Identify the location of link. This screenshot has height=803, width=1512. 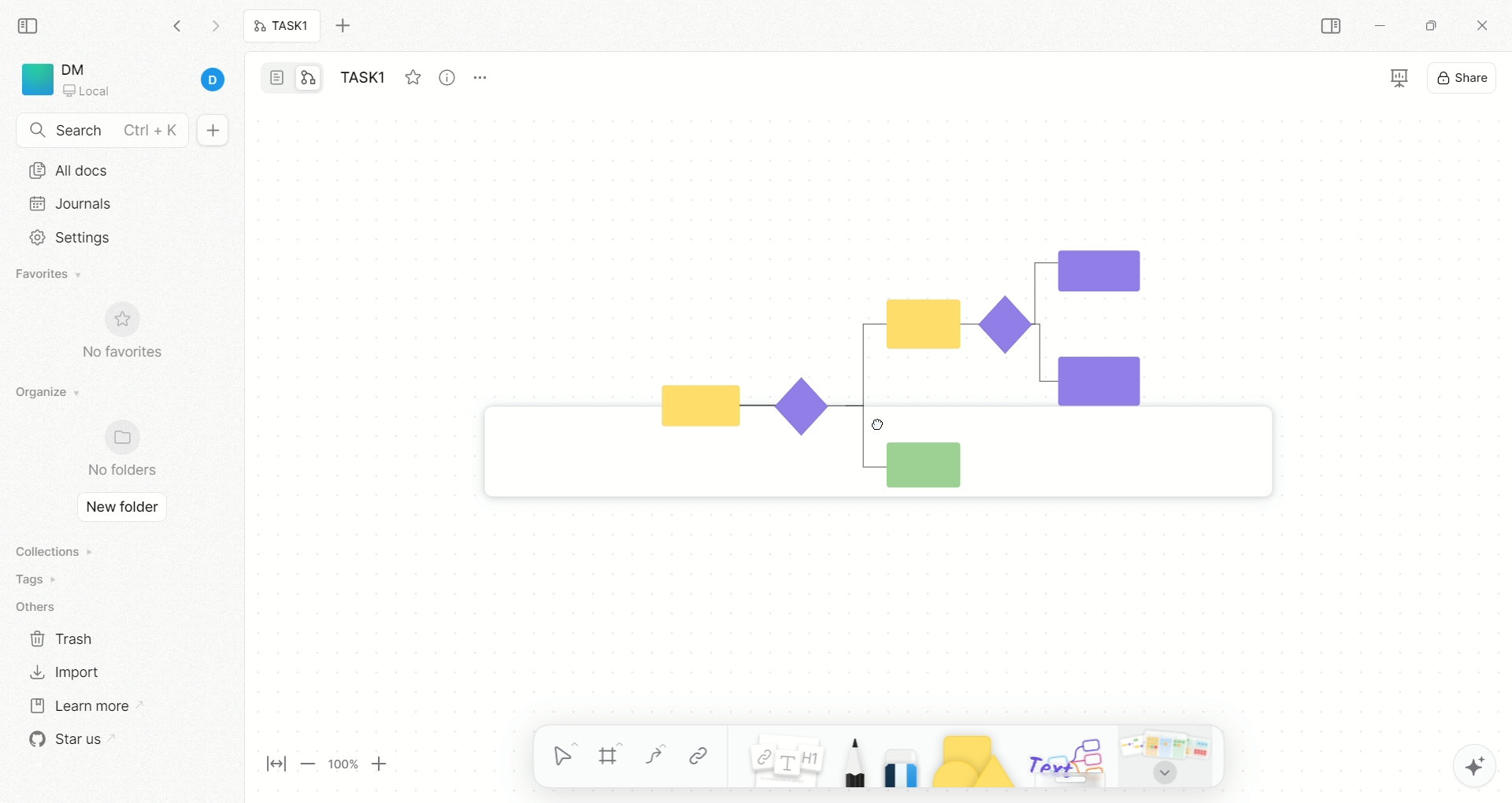
(699, 756).